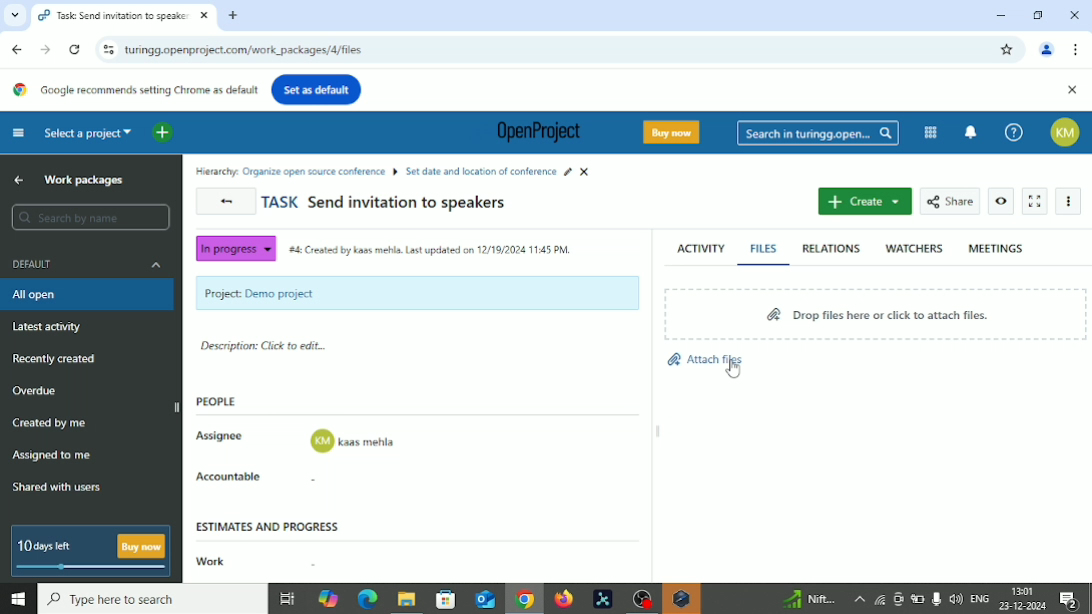  Describe the element at coordinates (1072, 202) in the screenshot. I see `More` at that location.